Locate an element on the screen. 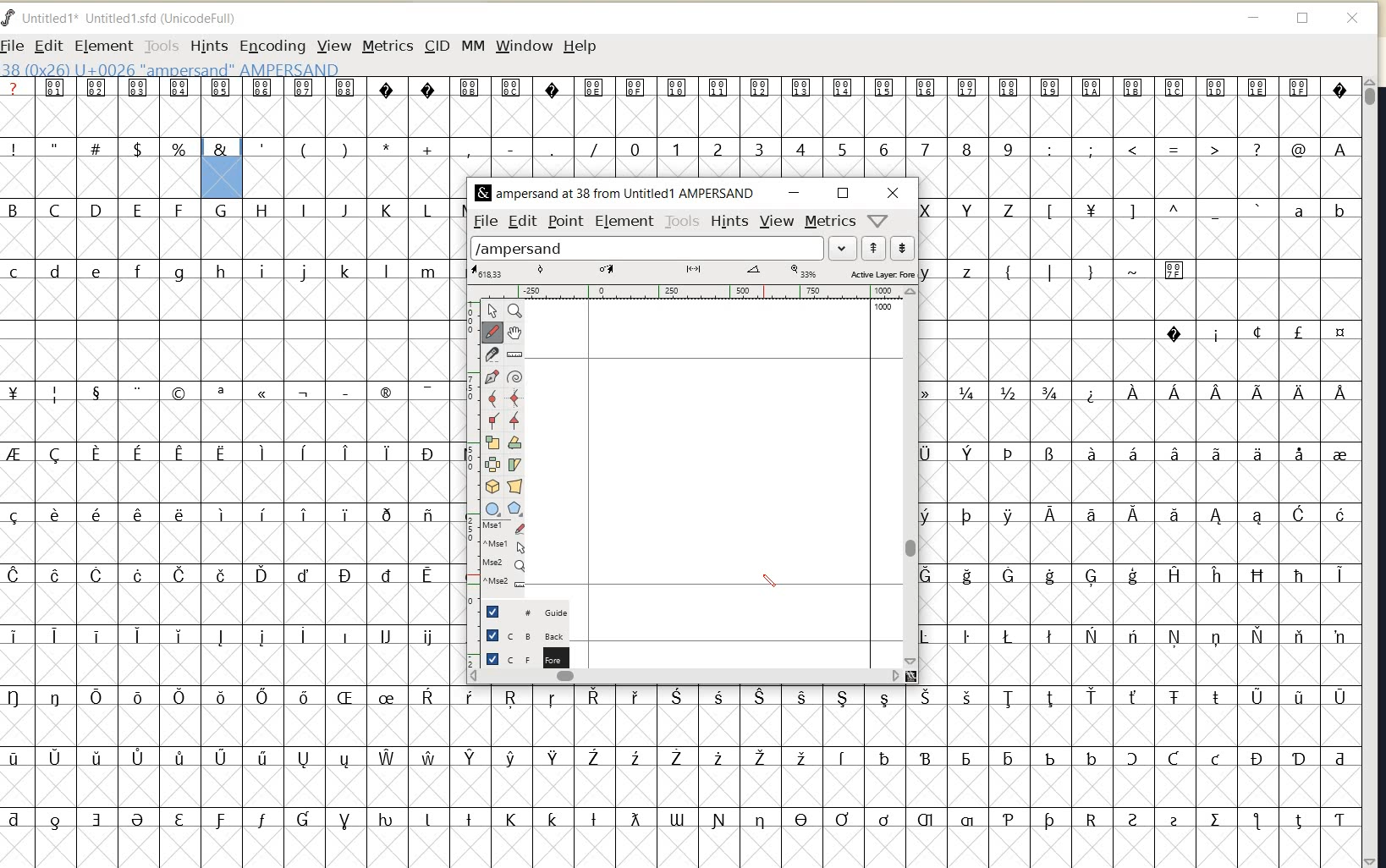  HINTS is located at coordinates (730, 222).